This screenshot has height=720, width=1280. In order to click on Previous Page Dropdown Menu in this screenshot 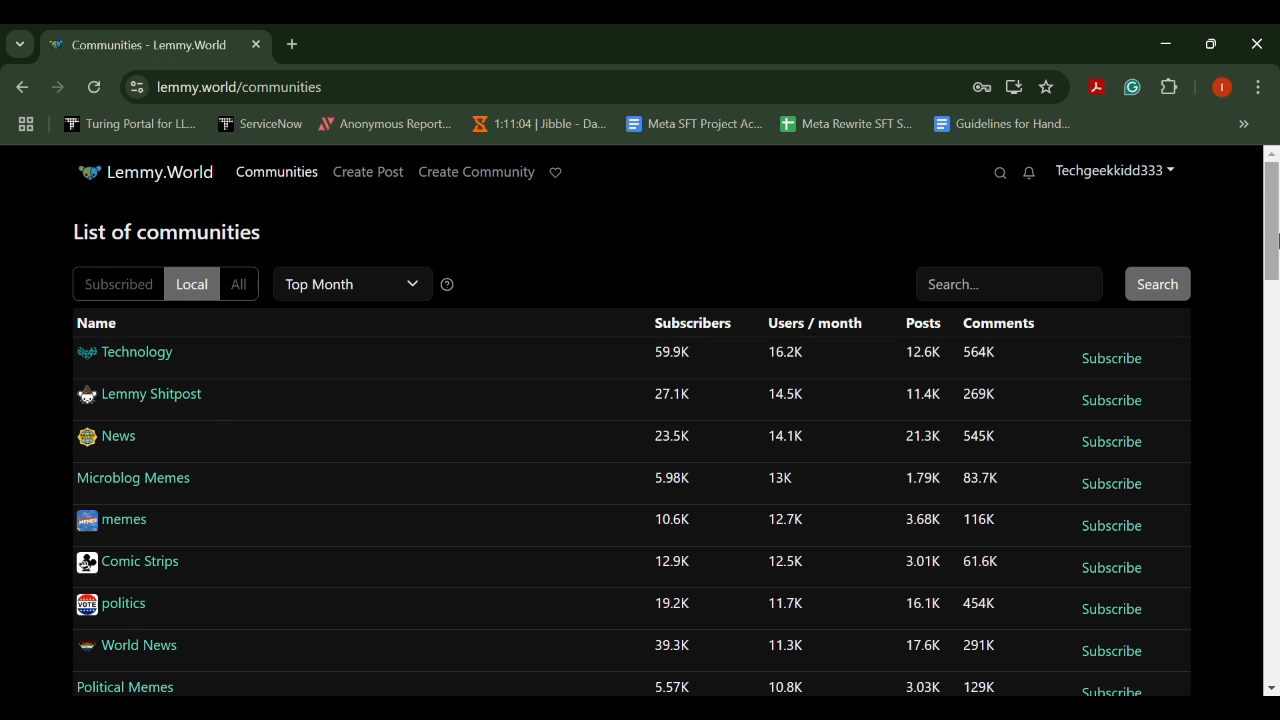, I will do `click(20, 45)`.